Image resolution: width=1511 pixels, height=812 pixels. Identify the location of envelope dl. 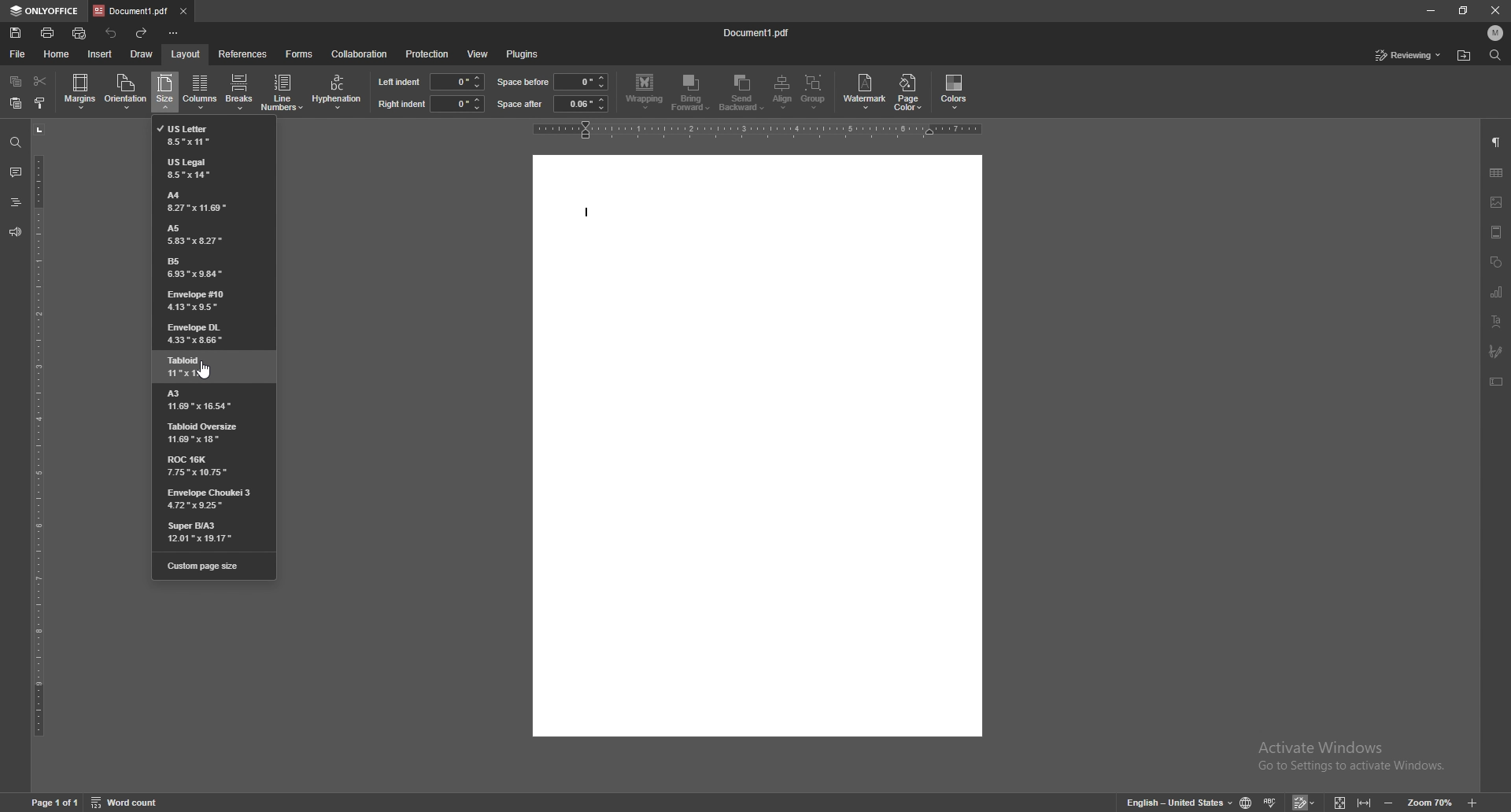
(210, 333).